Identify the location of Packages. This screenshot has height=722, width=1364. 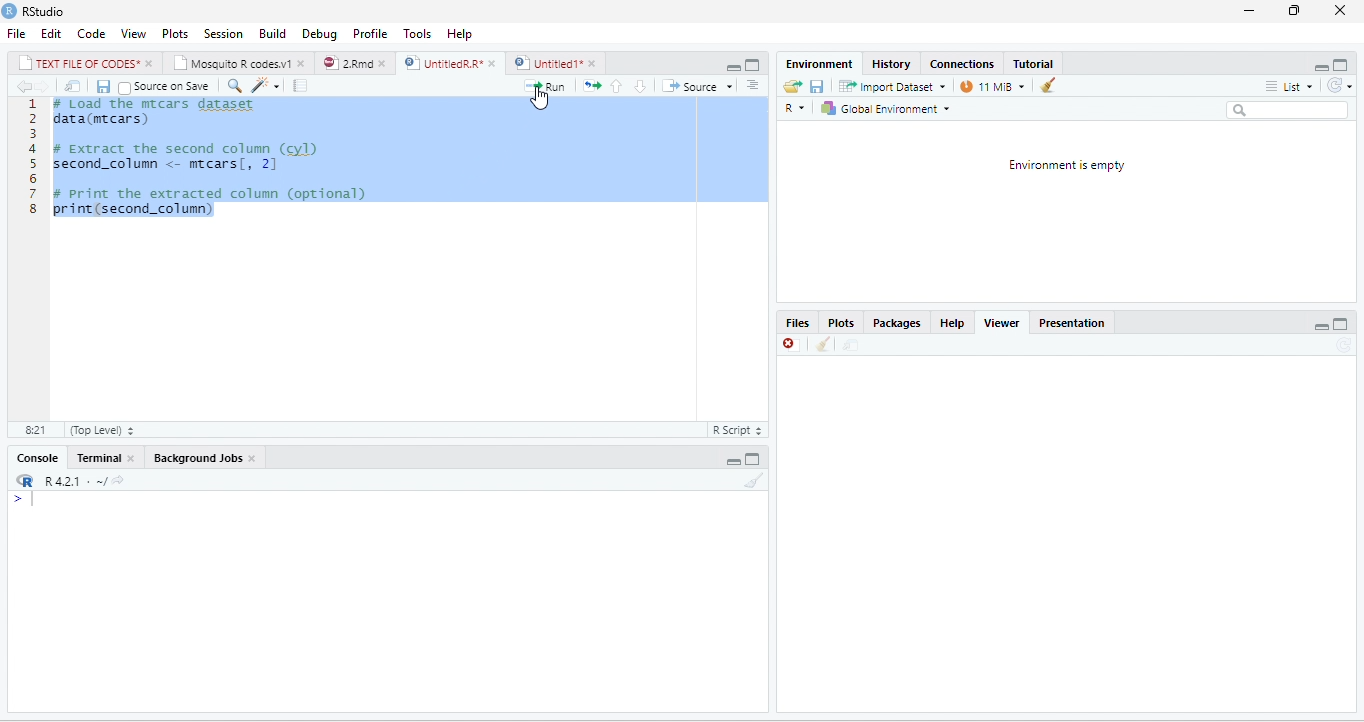
(899, 324).